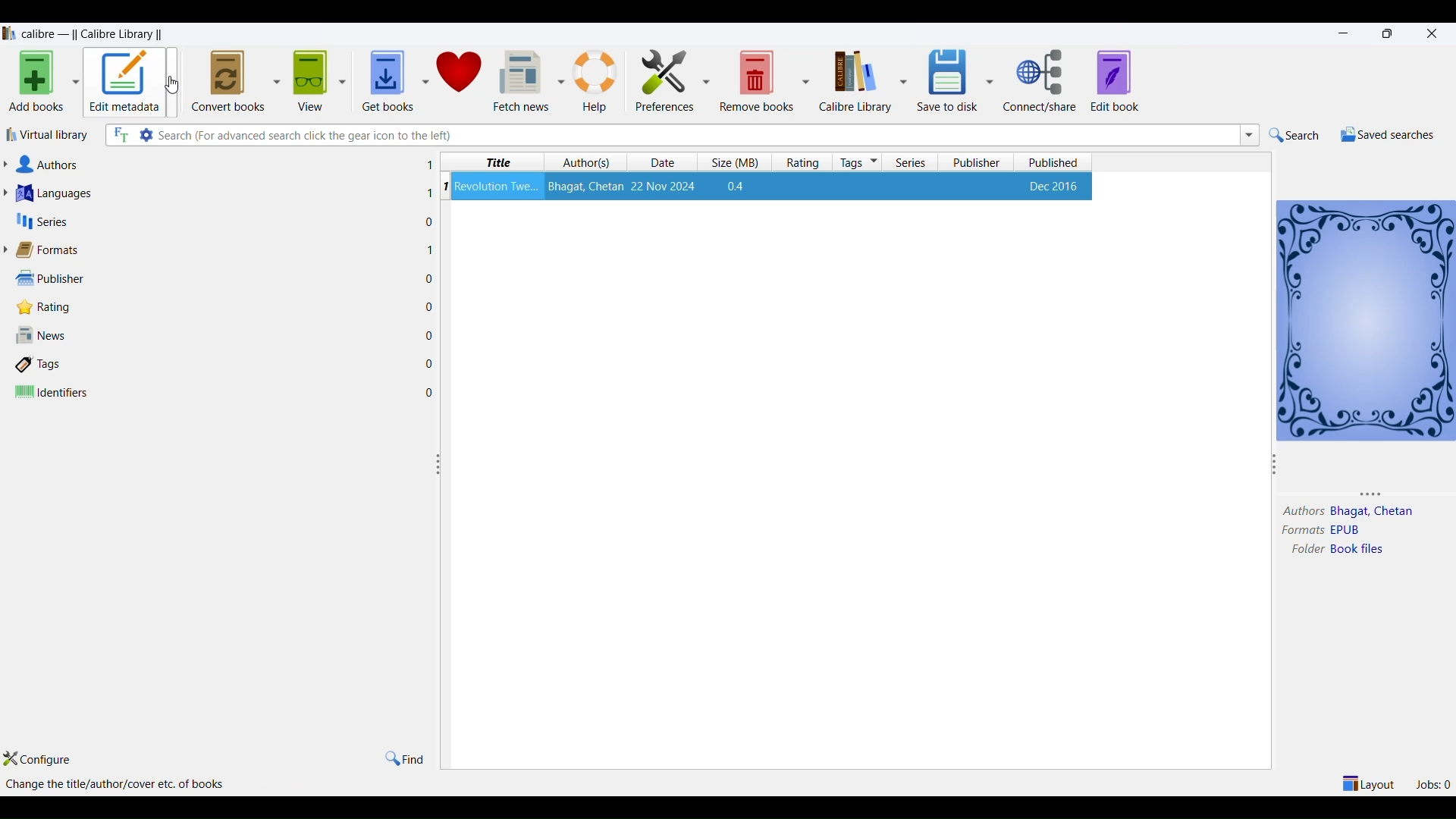 This screenshot has height=819, width=1456. I want to click on search, so click(1293, 134).